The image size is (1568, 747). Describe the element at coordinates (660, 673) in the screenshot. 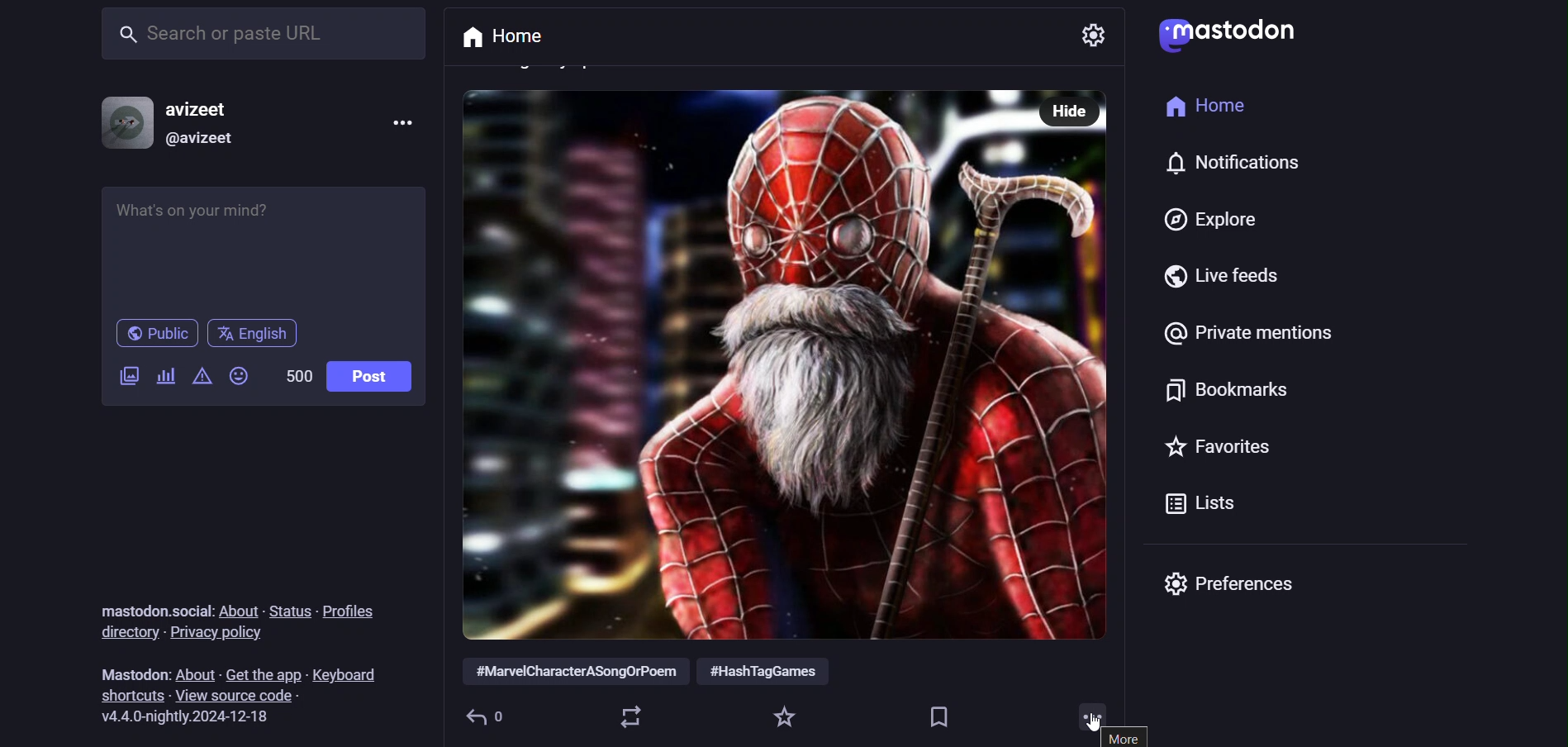

I see `hashtags` at that location.